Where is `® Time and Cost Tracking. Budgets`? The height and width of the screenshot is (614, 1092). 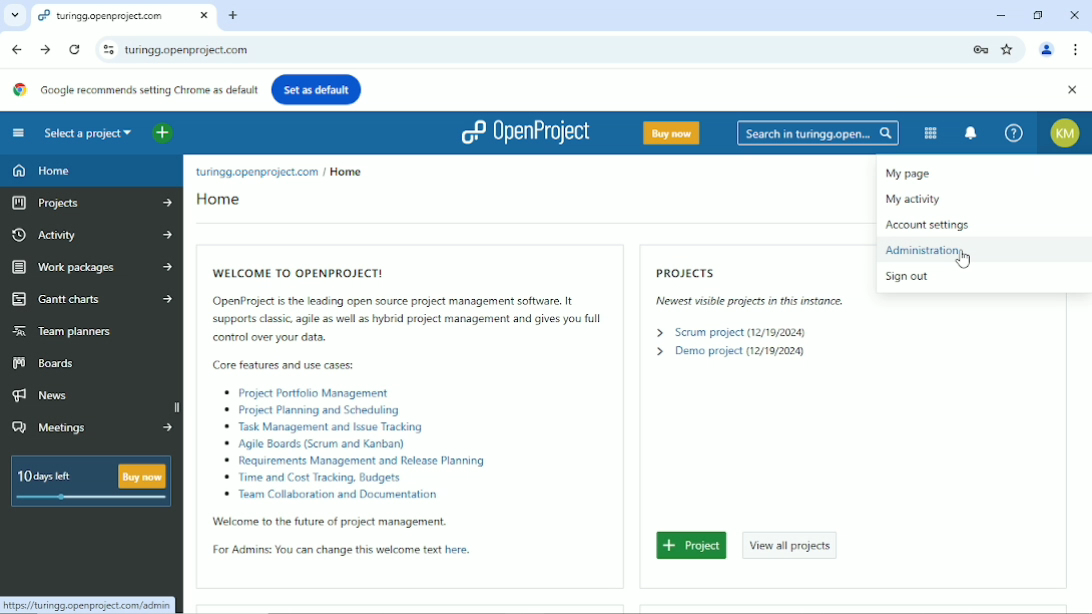
® Time and Cost Tracking. Budgets is located at coordinates (314, 478).